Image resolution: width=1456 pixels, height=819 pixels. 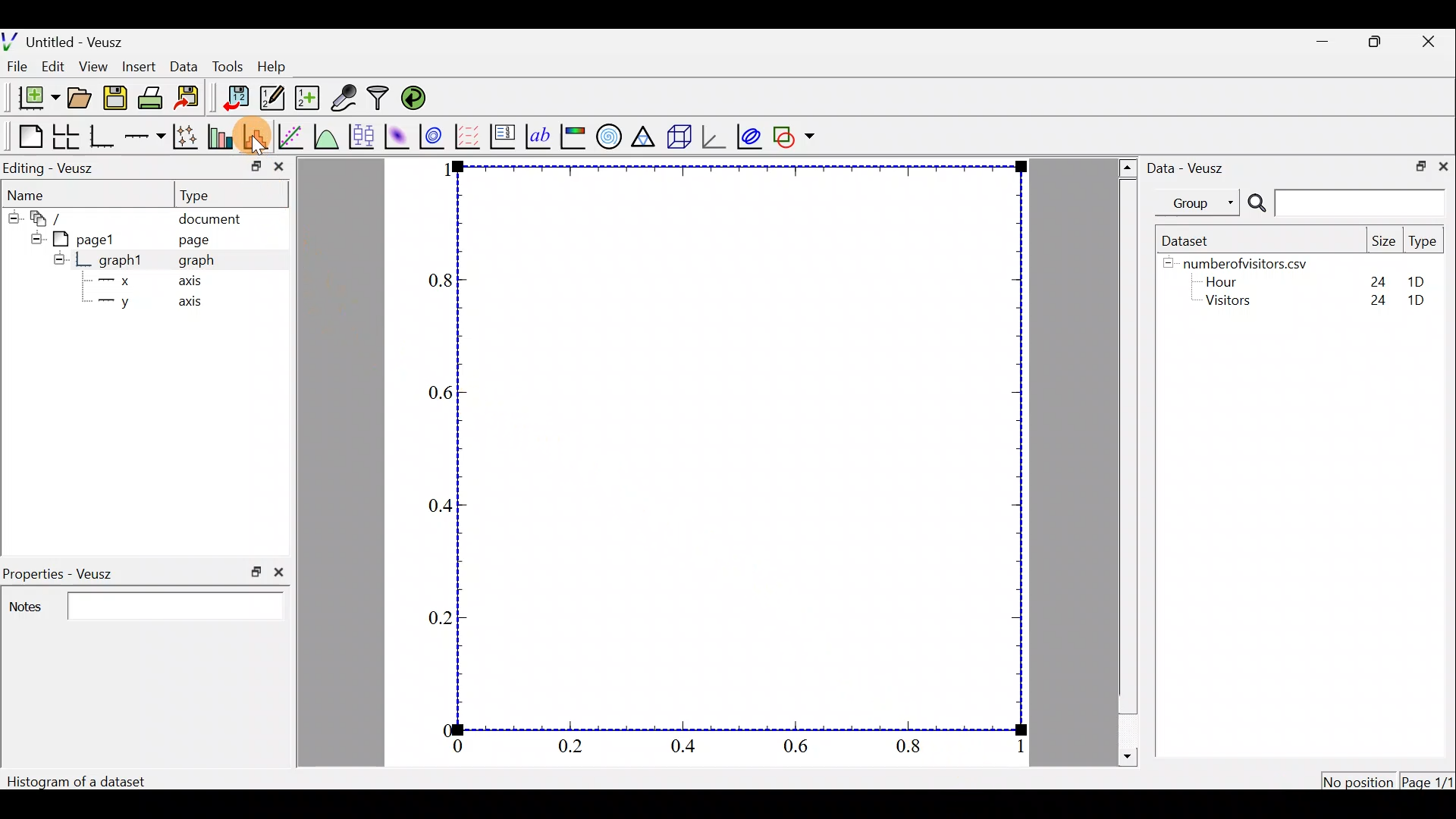 What do you see at coordinates (187, 136) in the screenshot?
I see `plot points with lines and error bars` at bounding box center [187, 136].